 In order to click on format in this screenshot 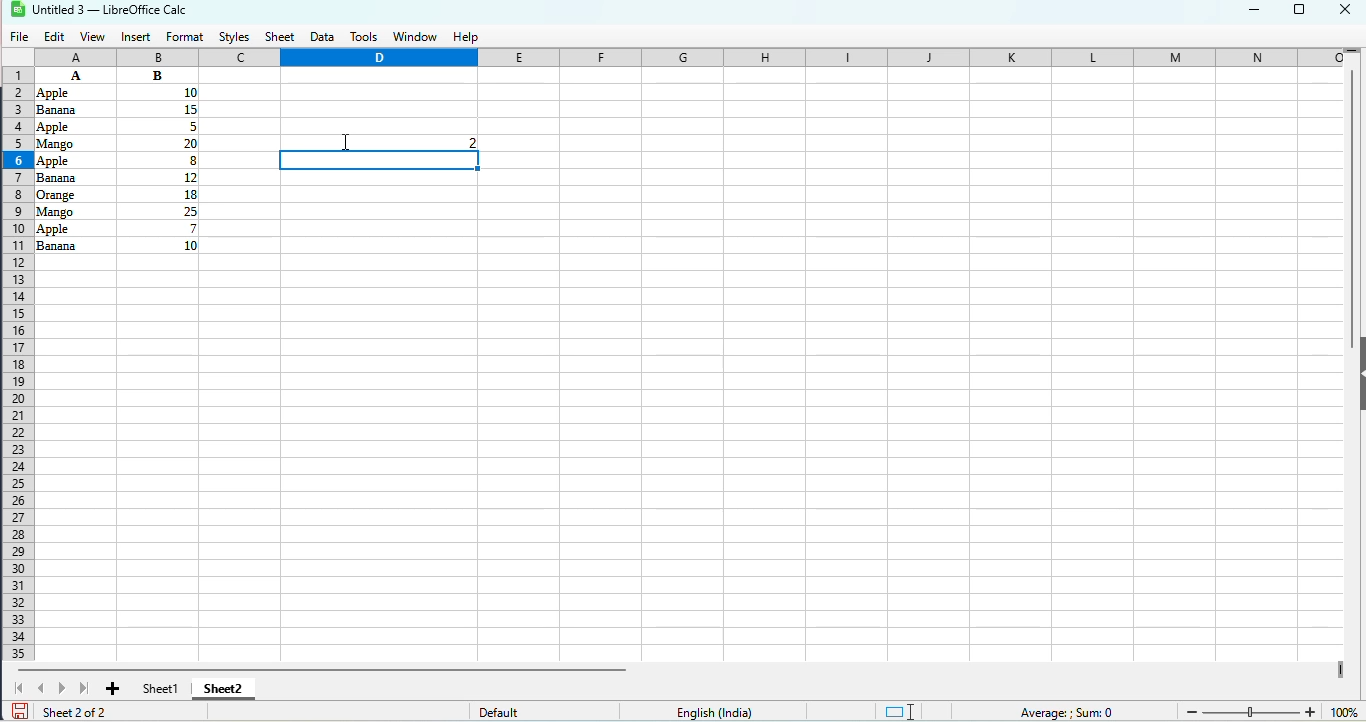, I will do `click(184, 38)`.